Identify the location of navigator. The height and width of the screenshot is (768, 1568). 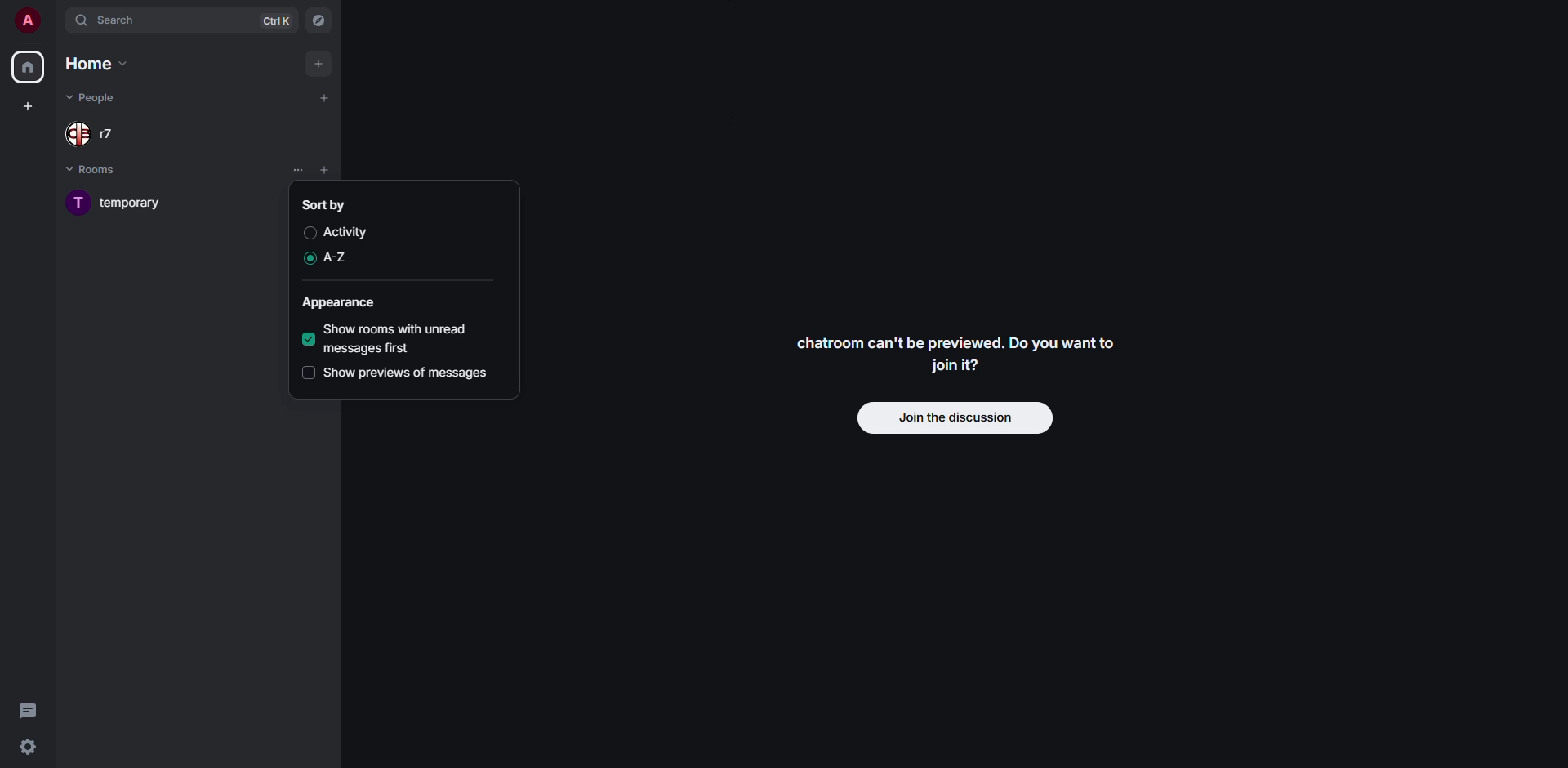
(318, 21).